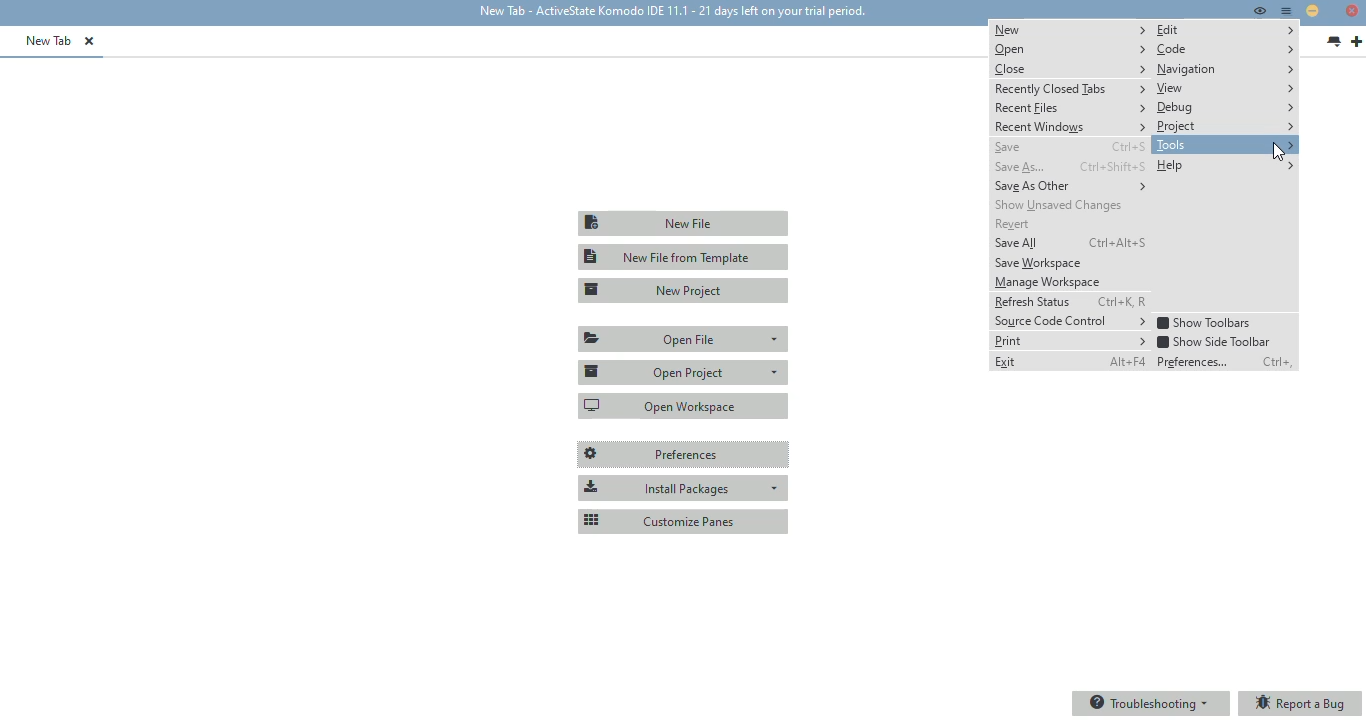 The width and height of the screenshot is (1366, 720). What do you see at coordinates (684, 257) in the screenshot?
I see `new file from template` at bounding box center [684, 257].